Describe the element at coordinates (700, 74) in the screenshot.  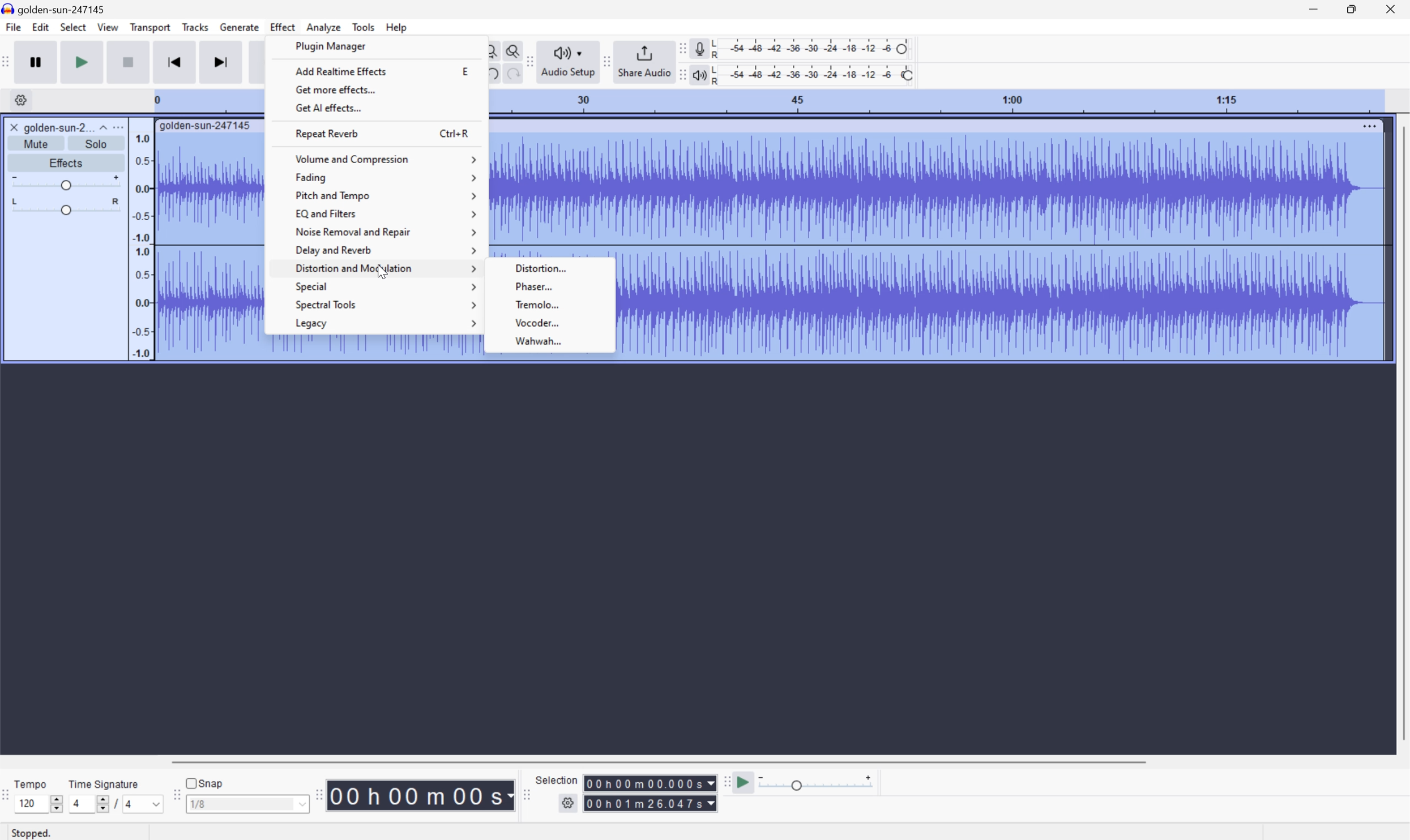
I see `Playback meter` at that location.